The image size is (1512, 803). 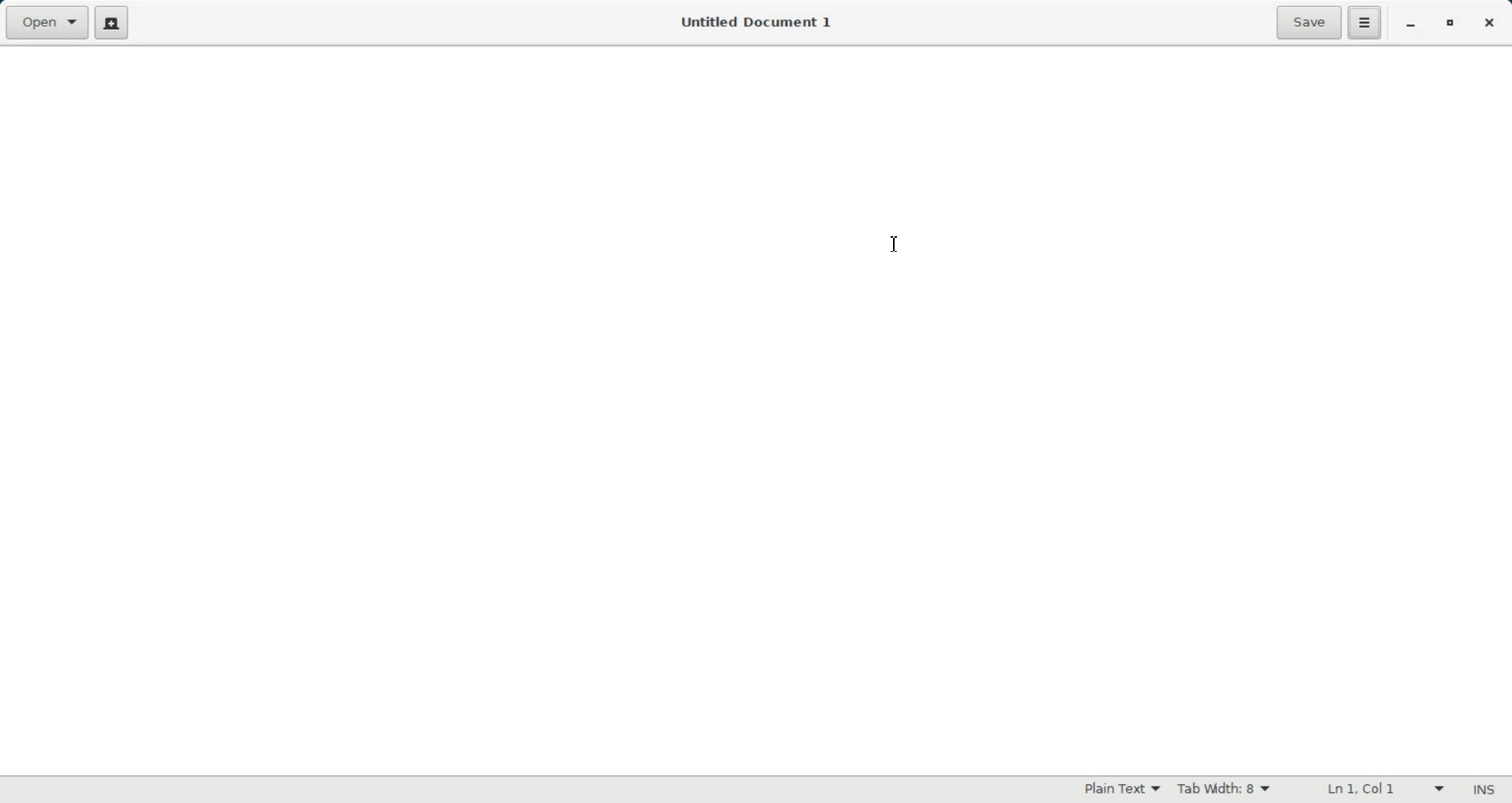 I want to click on Create a new document, so click(x=116, y=24).